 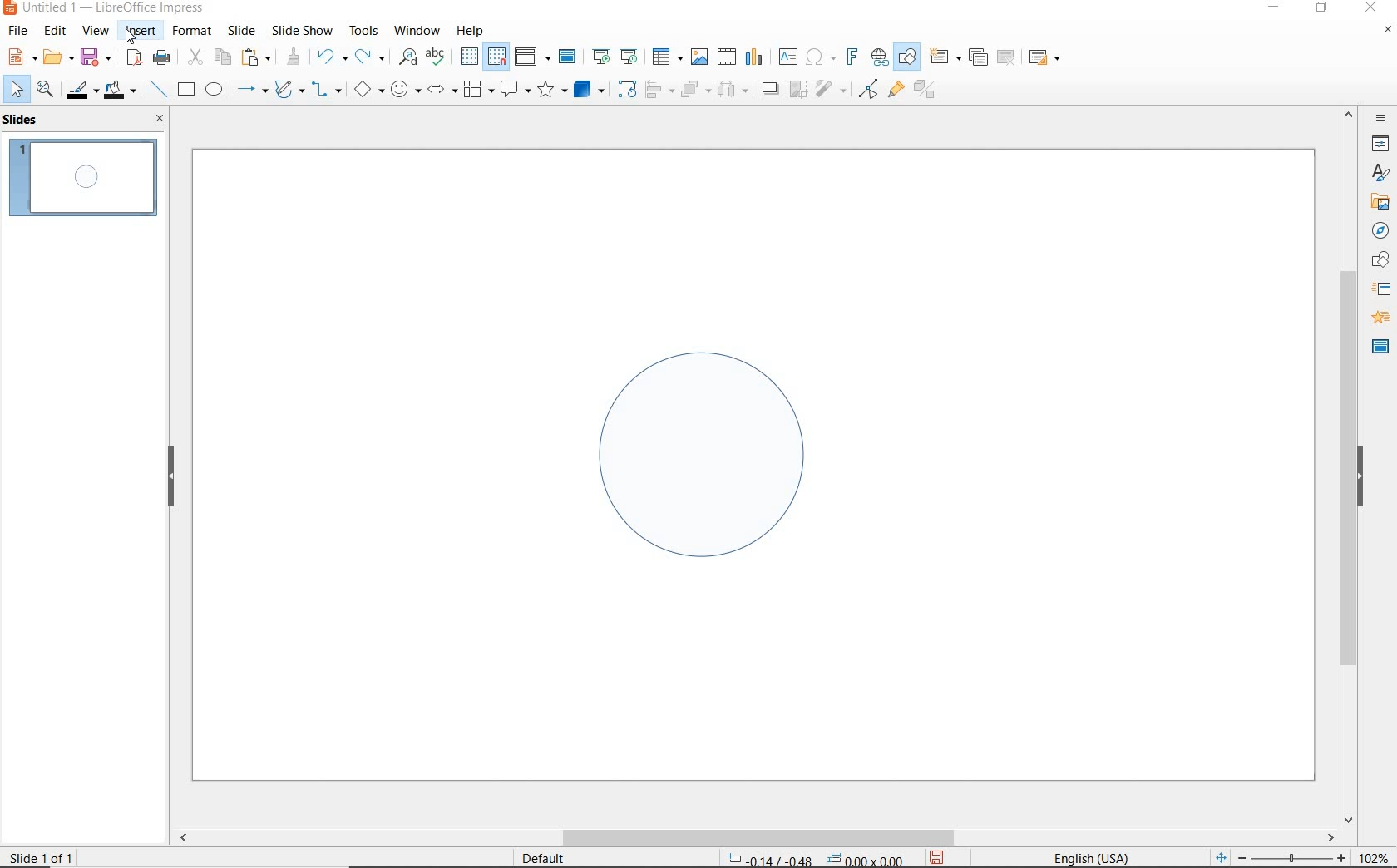 What do you see at coordinates (368, 91) in the screenshot?
I see `basic shapes` at bounding box center [368, 91].